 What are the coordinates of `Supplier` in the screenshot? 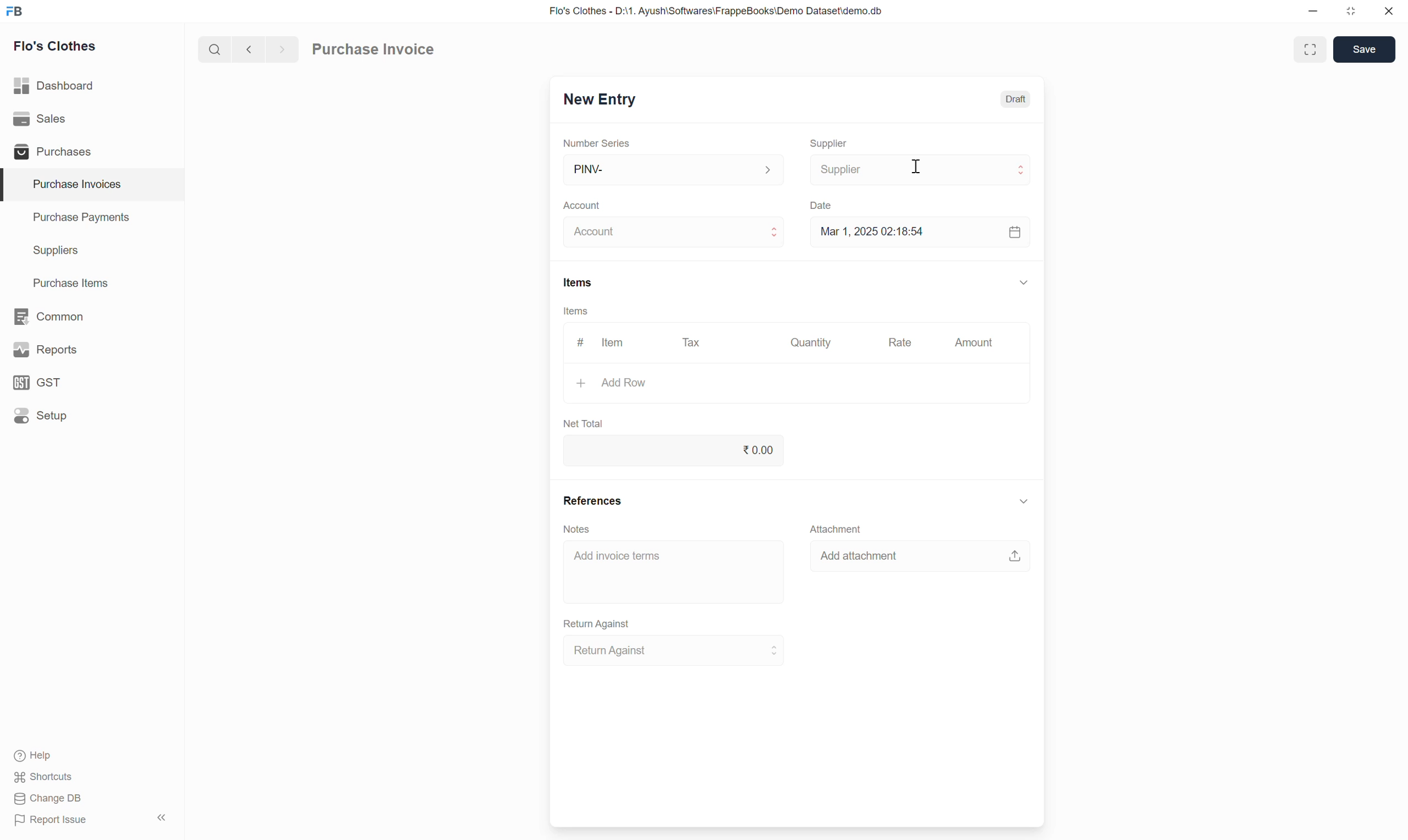 It's located at (921, 170).